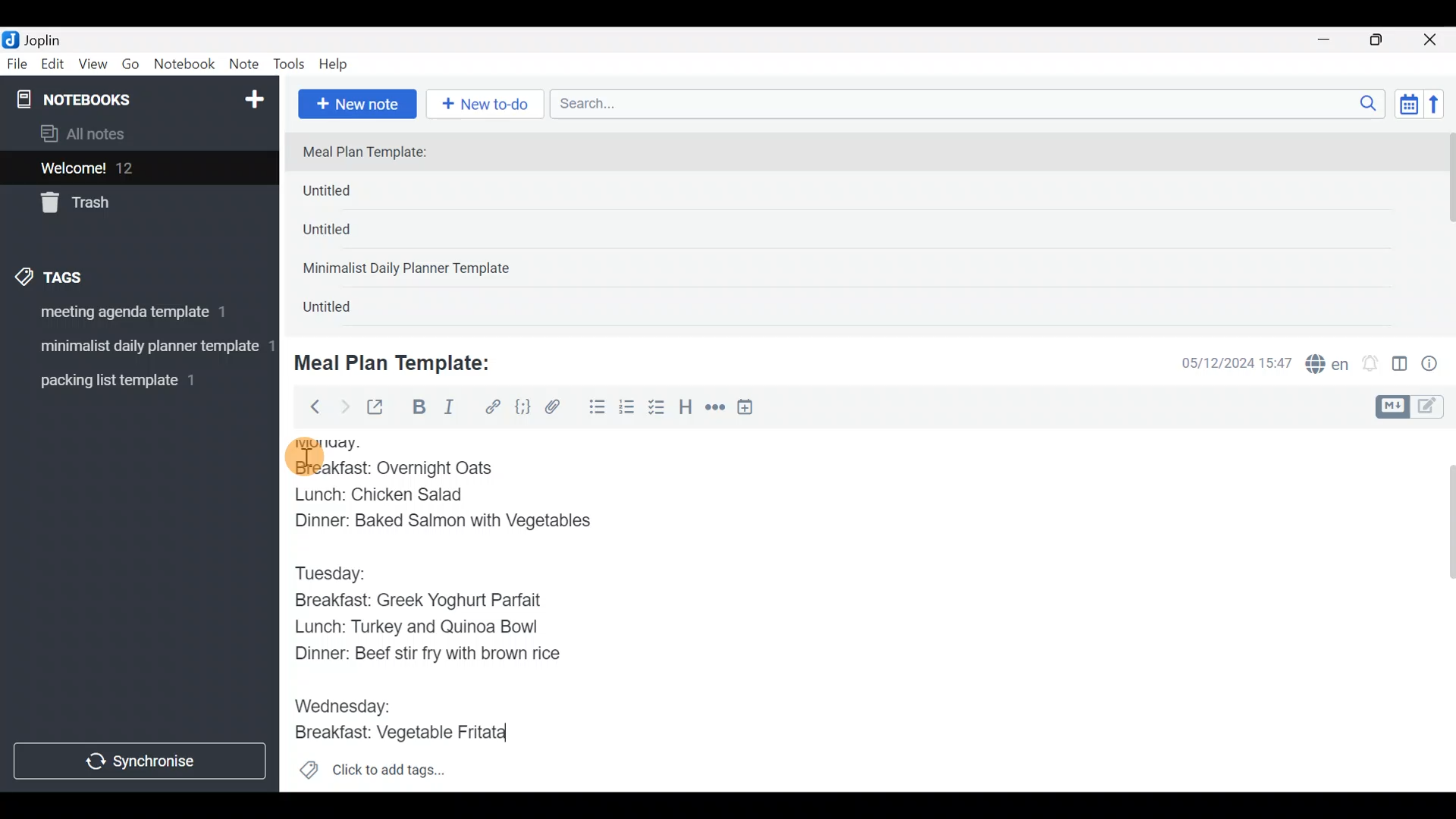 The height and width of the screenshot is (819, 1456). I want to click on scroll bar, so click(1446, 229).